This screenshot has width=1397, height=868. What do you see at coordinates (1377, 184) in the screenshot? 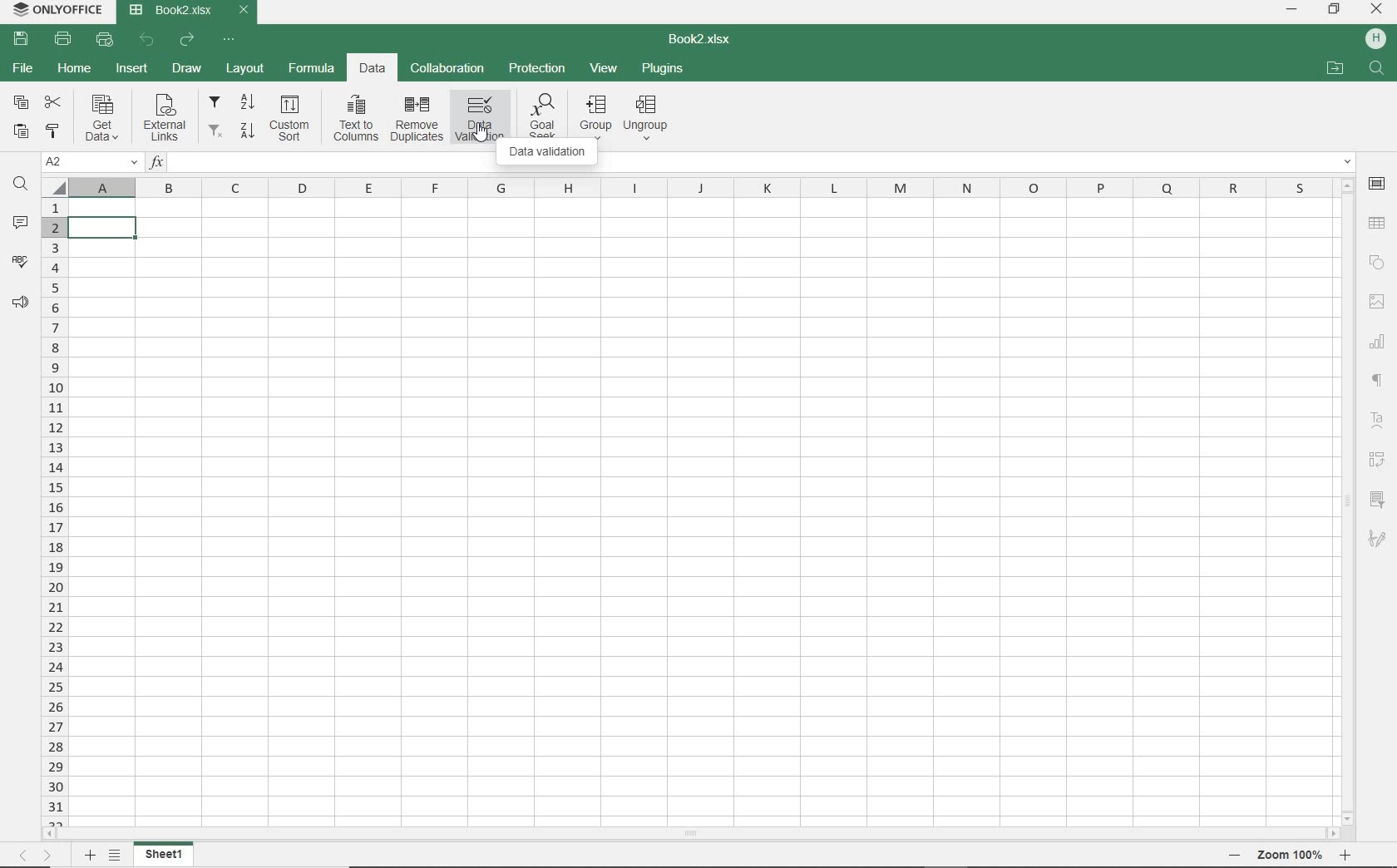
I see `CELL SETTINGS` at bounding box center [1377, 184].